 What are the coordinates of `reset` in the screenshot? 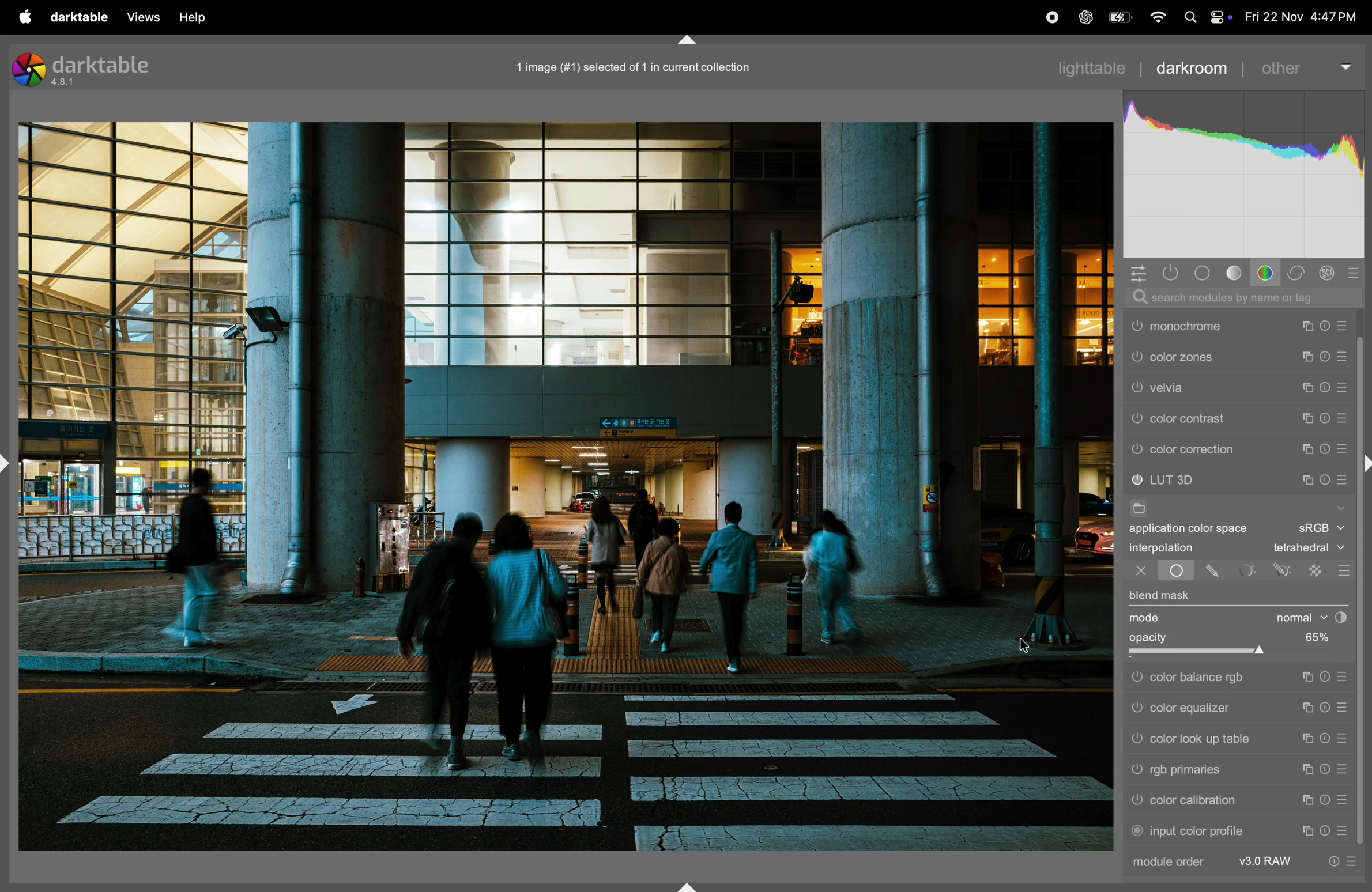 It's located at (1326, 738).